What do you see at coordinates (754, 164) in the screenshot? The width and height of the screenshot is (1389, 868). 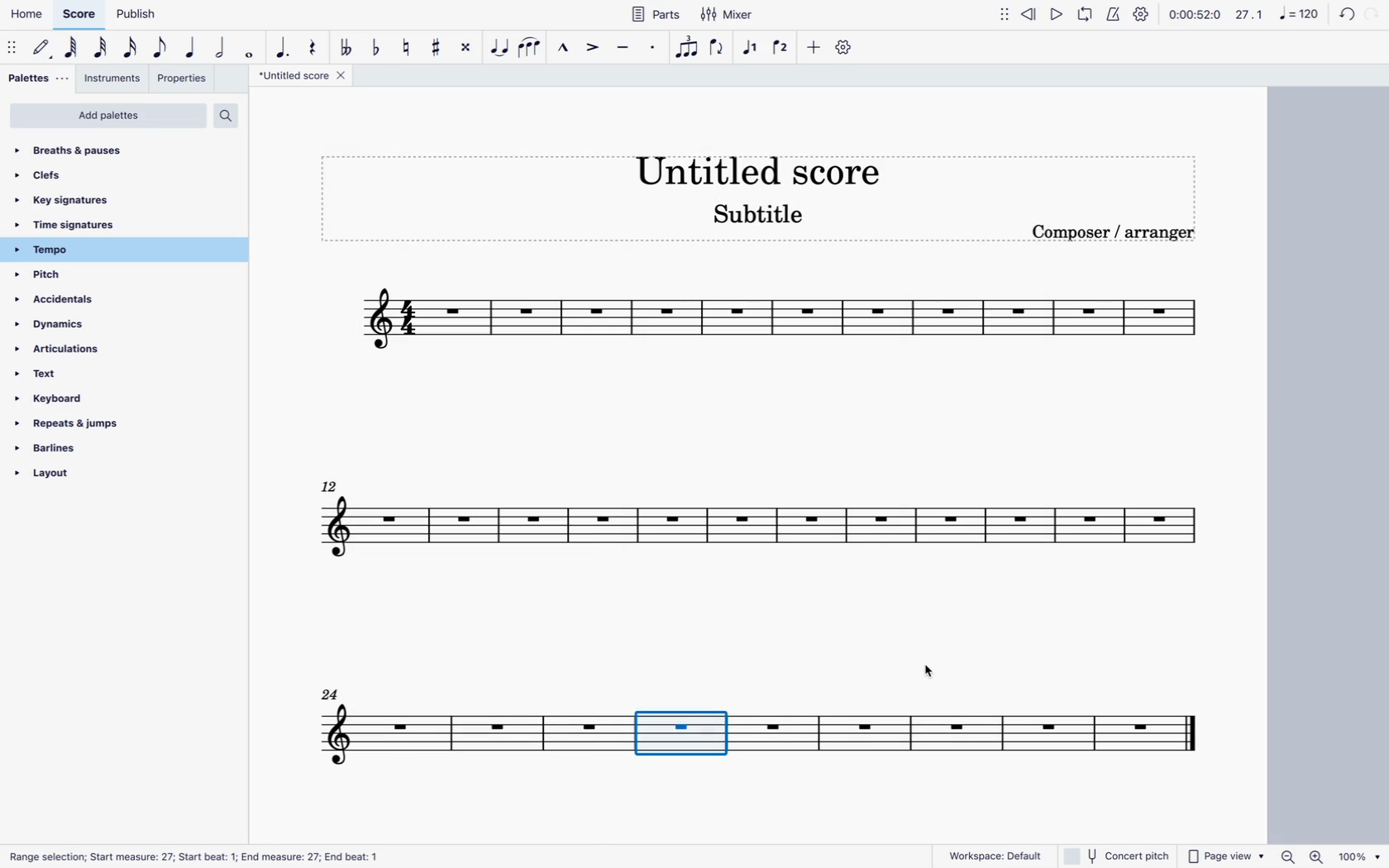 I see `score title` at bounding box center [754, 164].